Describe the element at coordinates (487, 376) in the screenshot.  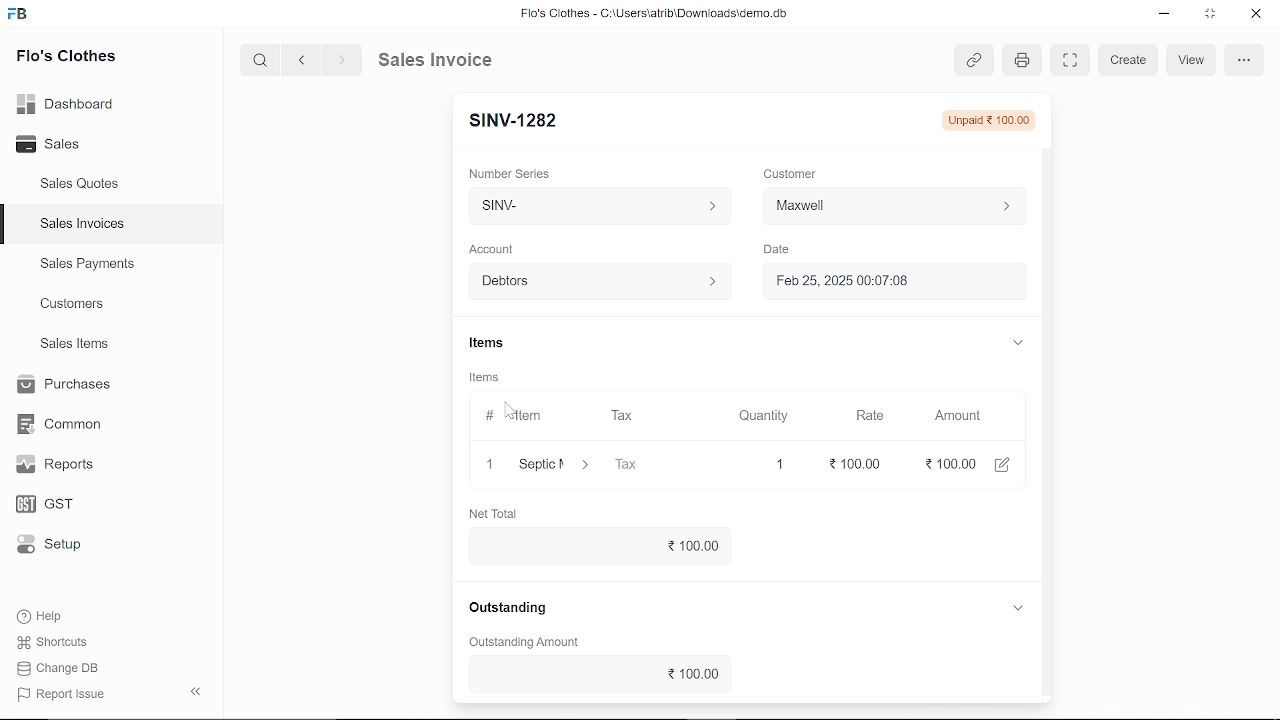
I see `Items` at that location.